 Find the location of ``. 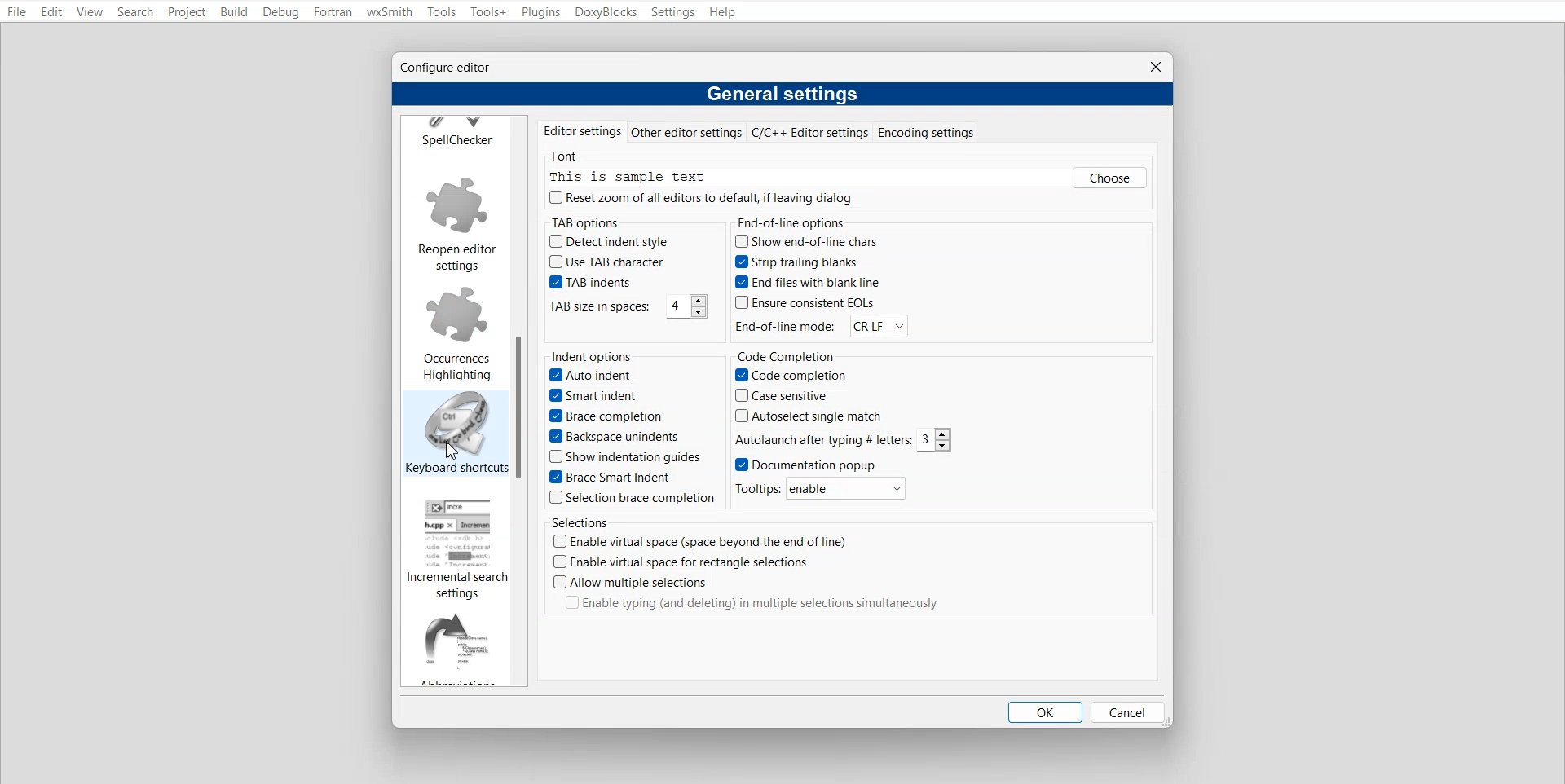

 is located at coordinates (1112, 178).